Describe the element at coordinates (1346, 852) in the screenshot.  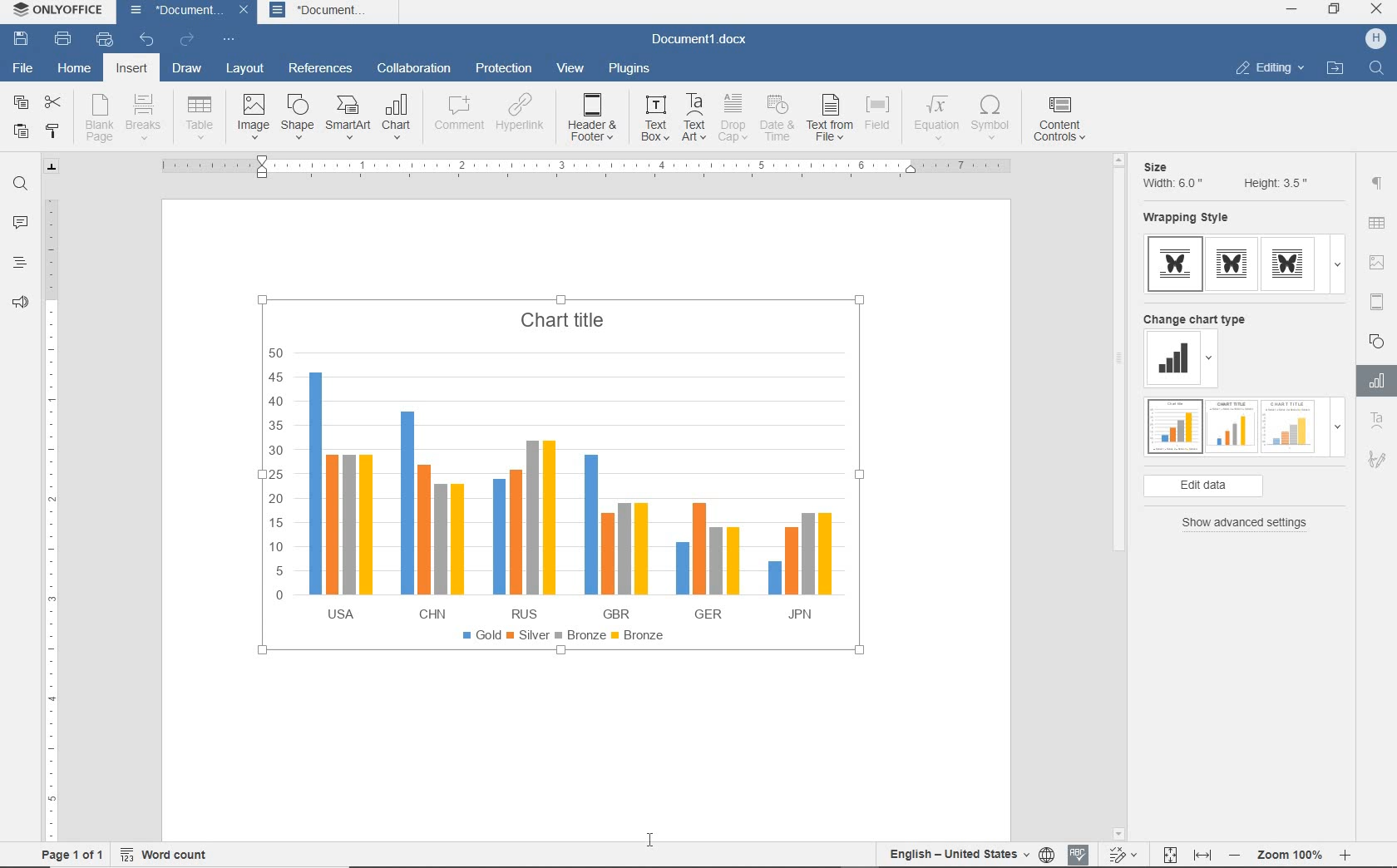
I see `zoom in` at that location.